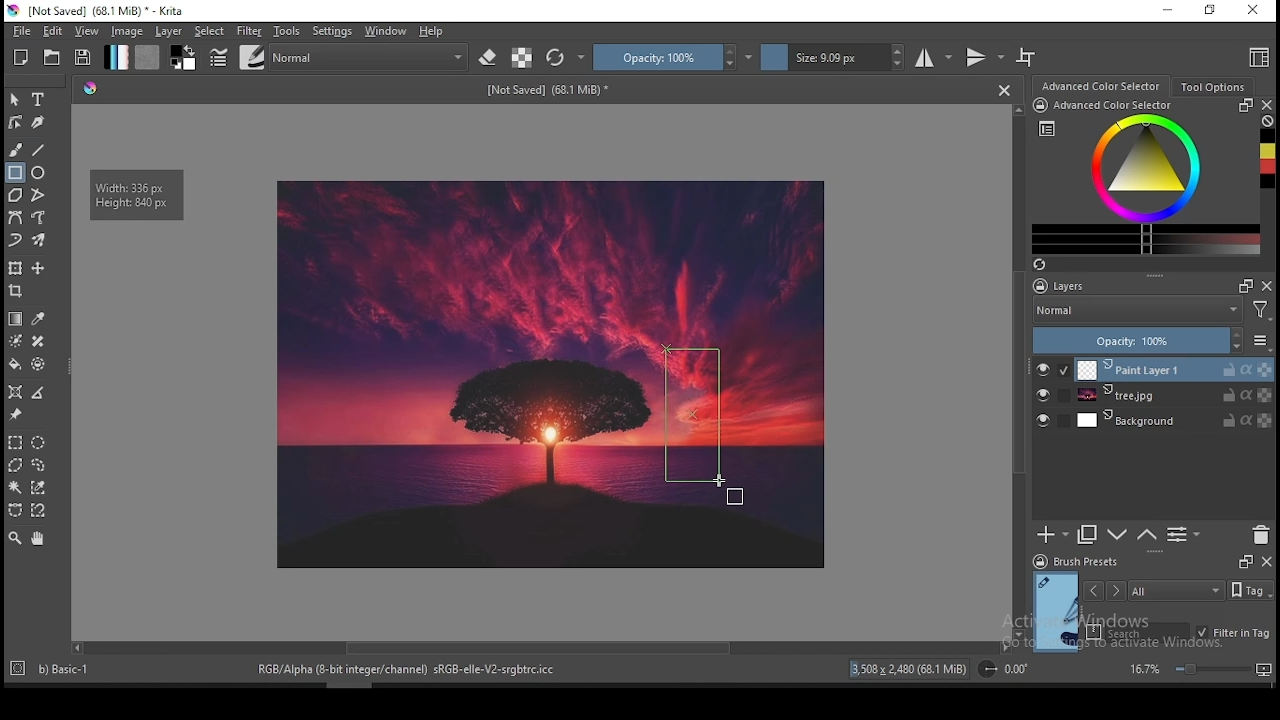  Describe the element at coordinates (1110, 285) in the screenshot. I see `layers` at that location.